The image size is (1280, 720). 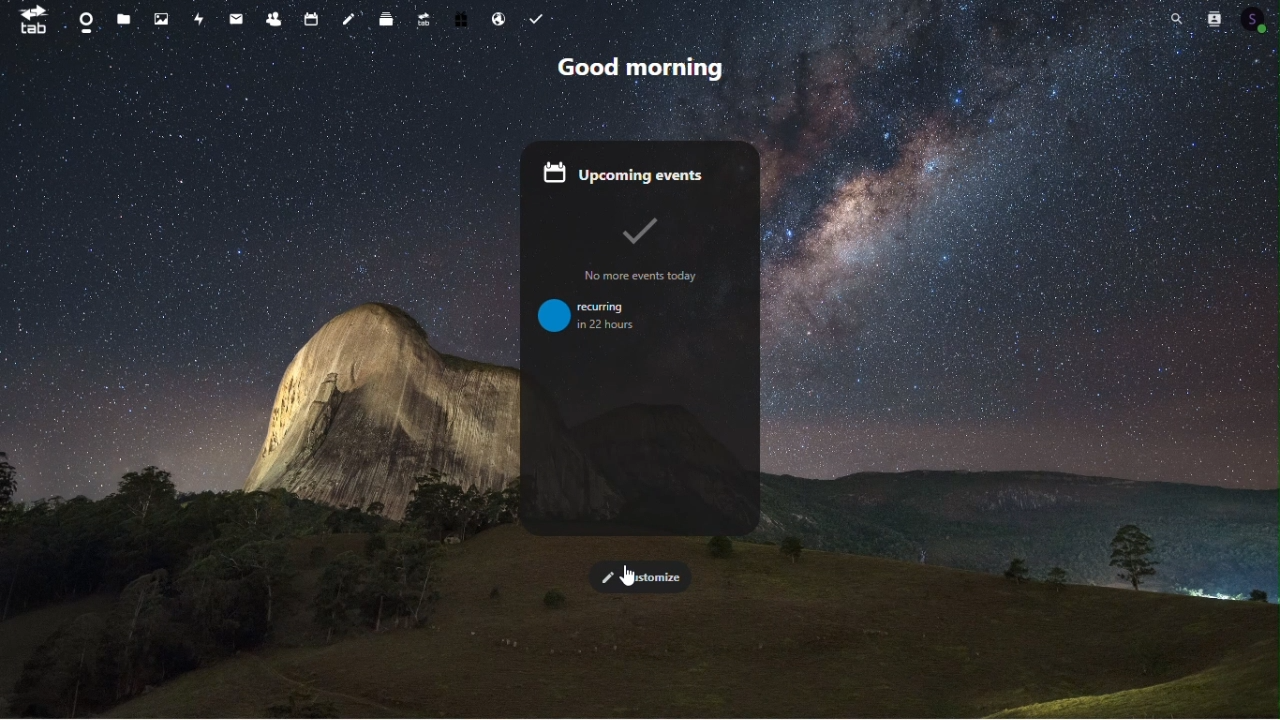 I want to click on no more event today, so click(x=648, y=252).